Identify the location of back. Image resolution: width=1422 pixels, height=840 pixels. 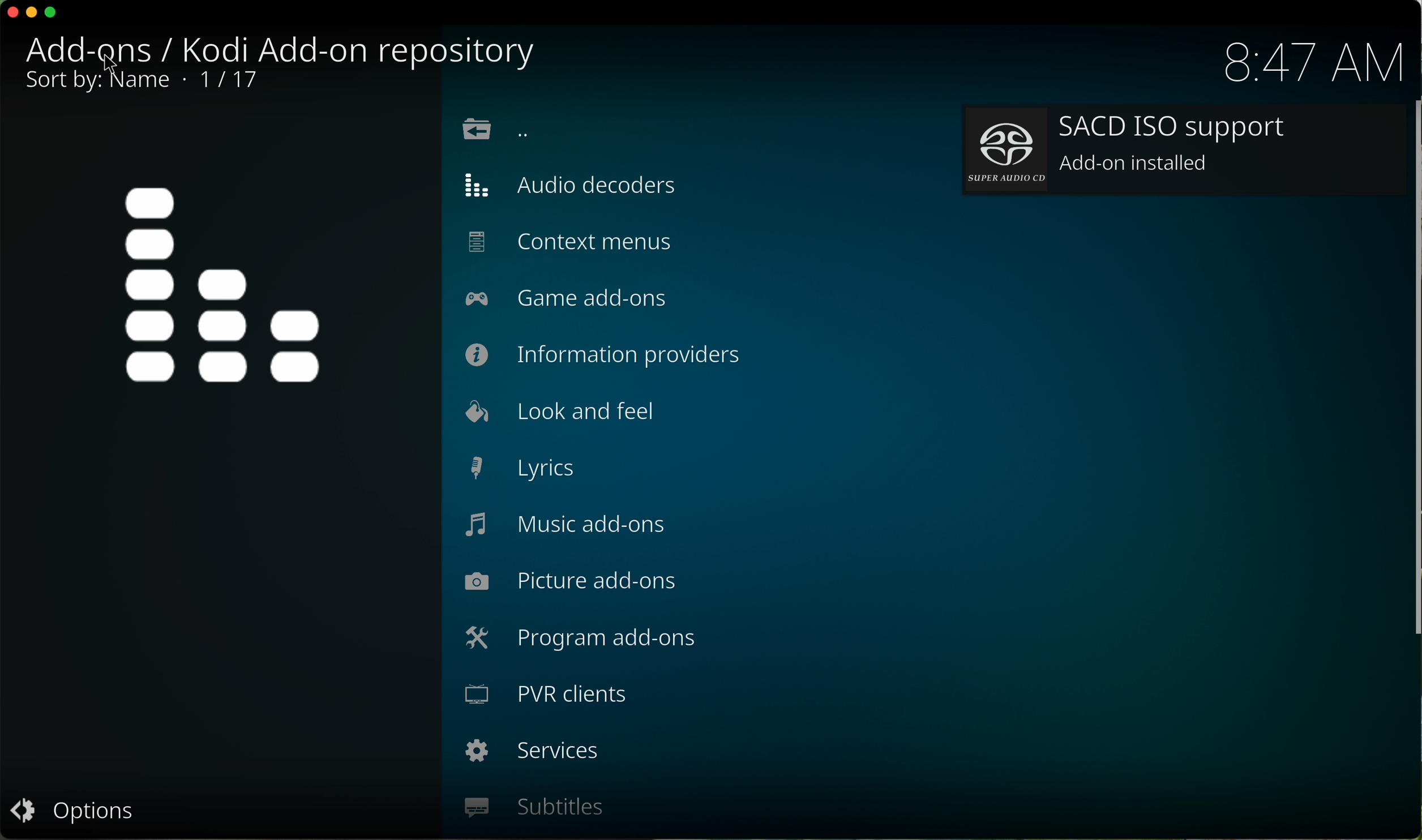
(496, 131).